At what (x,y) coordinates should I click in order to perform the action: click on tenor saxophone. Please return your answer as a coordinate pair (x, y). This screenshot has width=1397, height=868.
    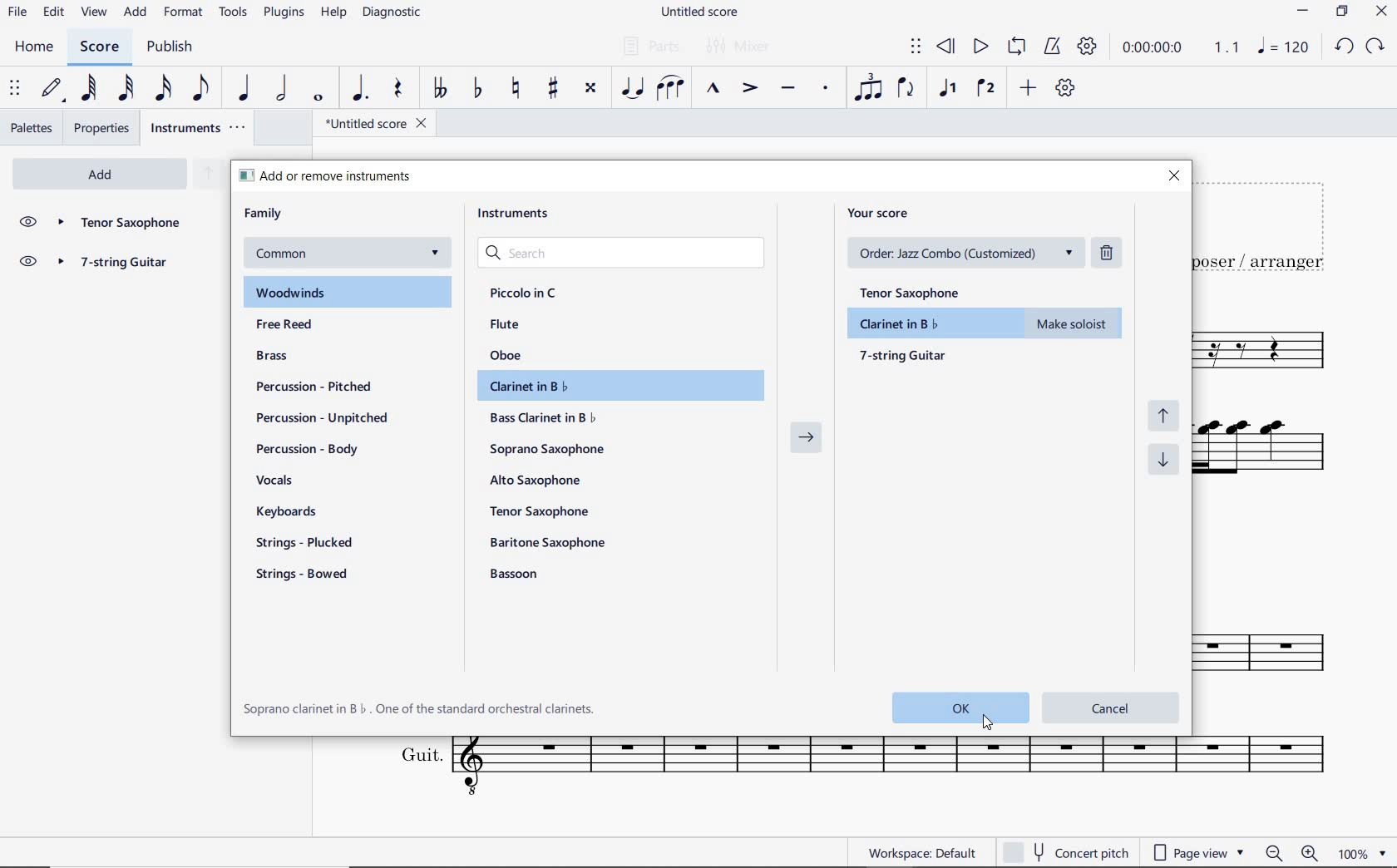
    Looking at the image, I should click on (542, 510).